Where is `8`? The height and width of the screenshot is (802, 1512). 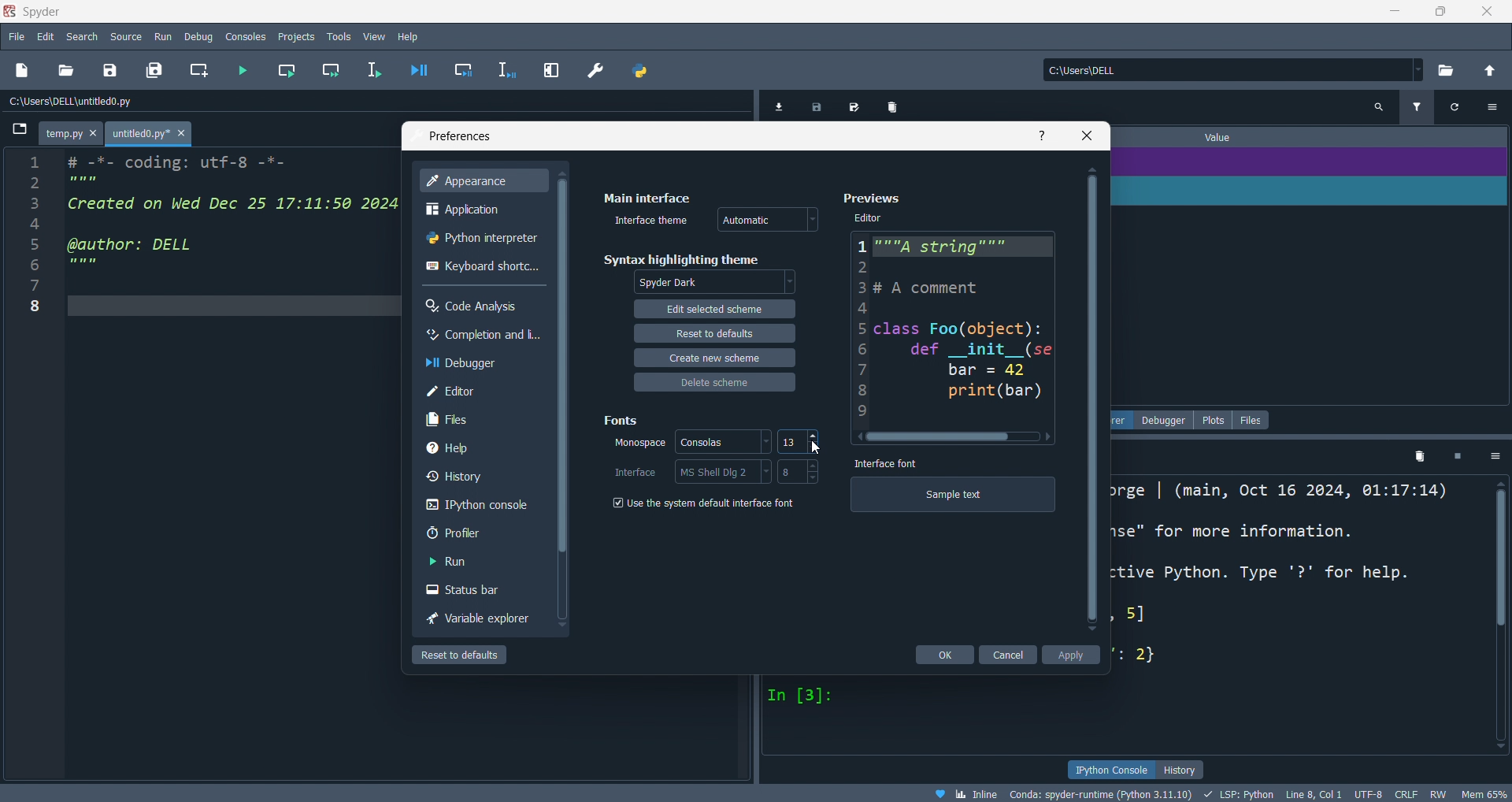 8 is located at coordinates (39, 309).